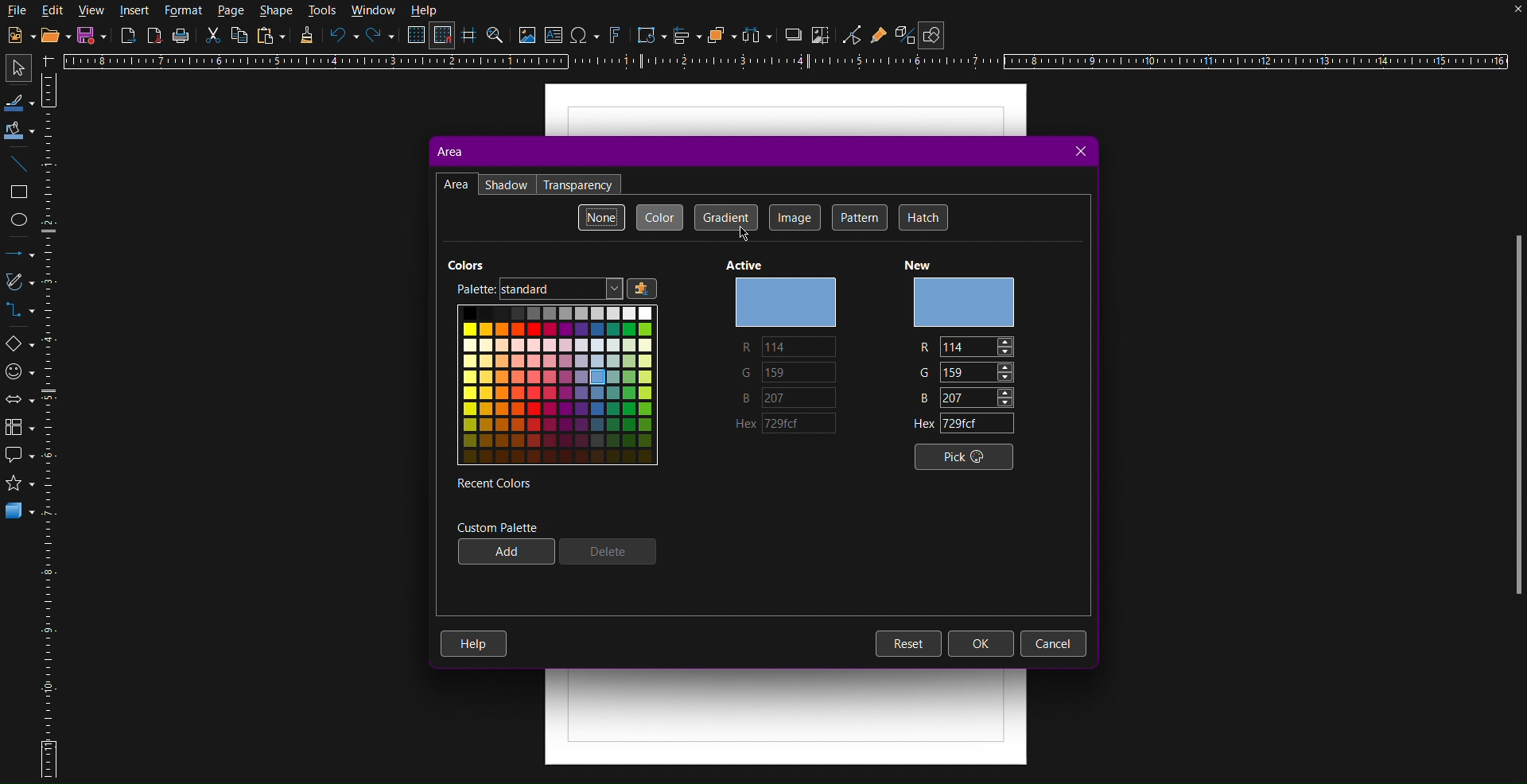 The image size is (1527, 784). I want to click on , so click(918, 266).